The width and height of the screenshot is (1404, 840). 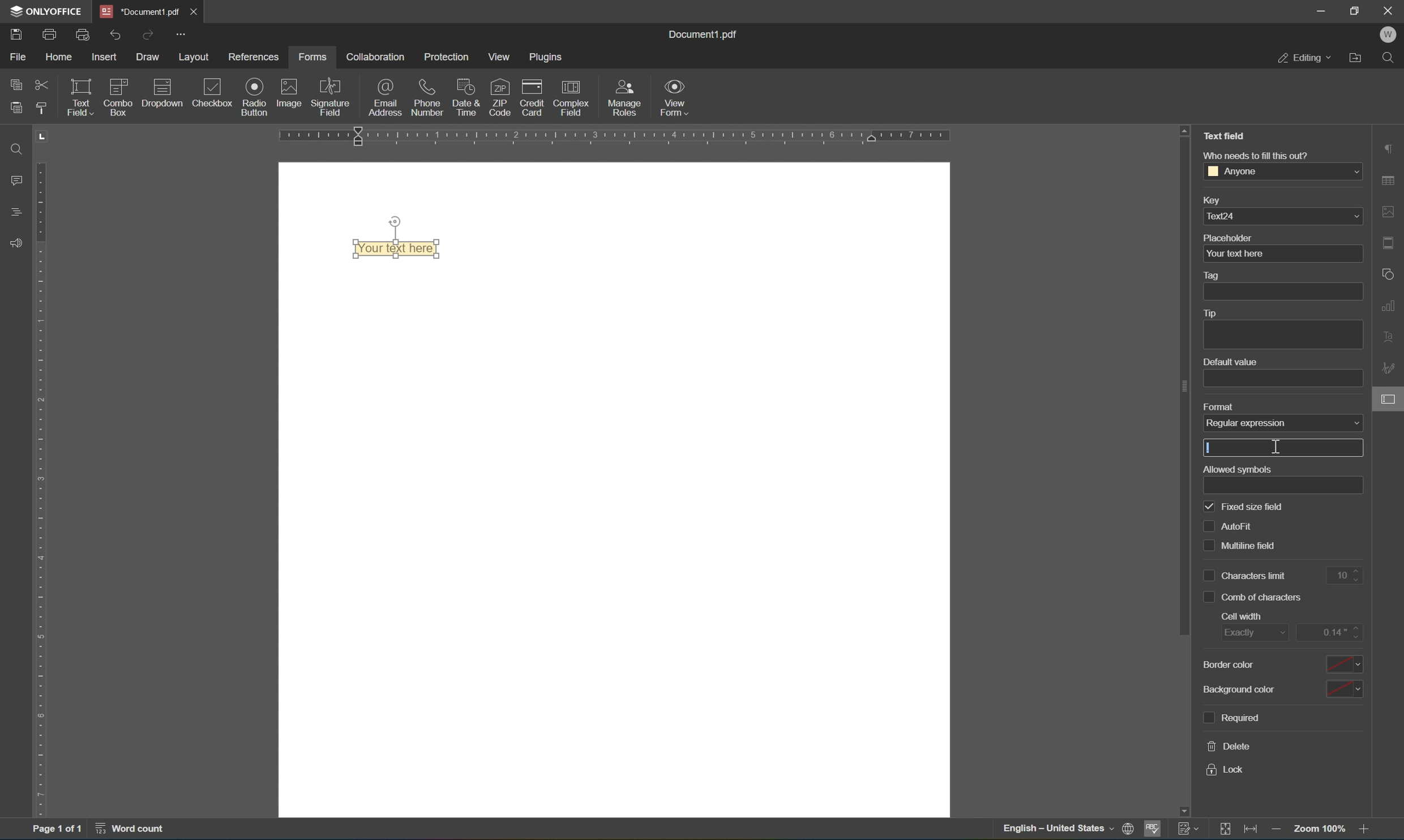 I want to click on *document1.pdf, so click(x=140, y=11).